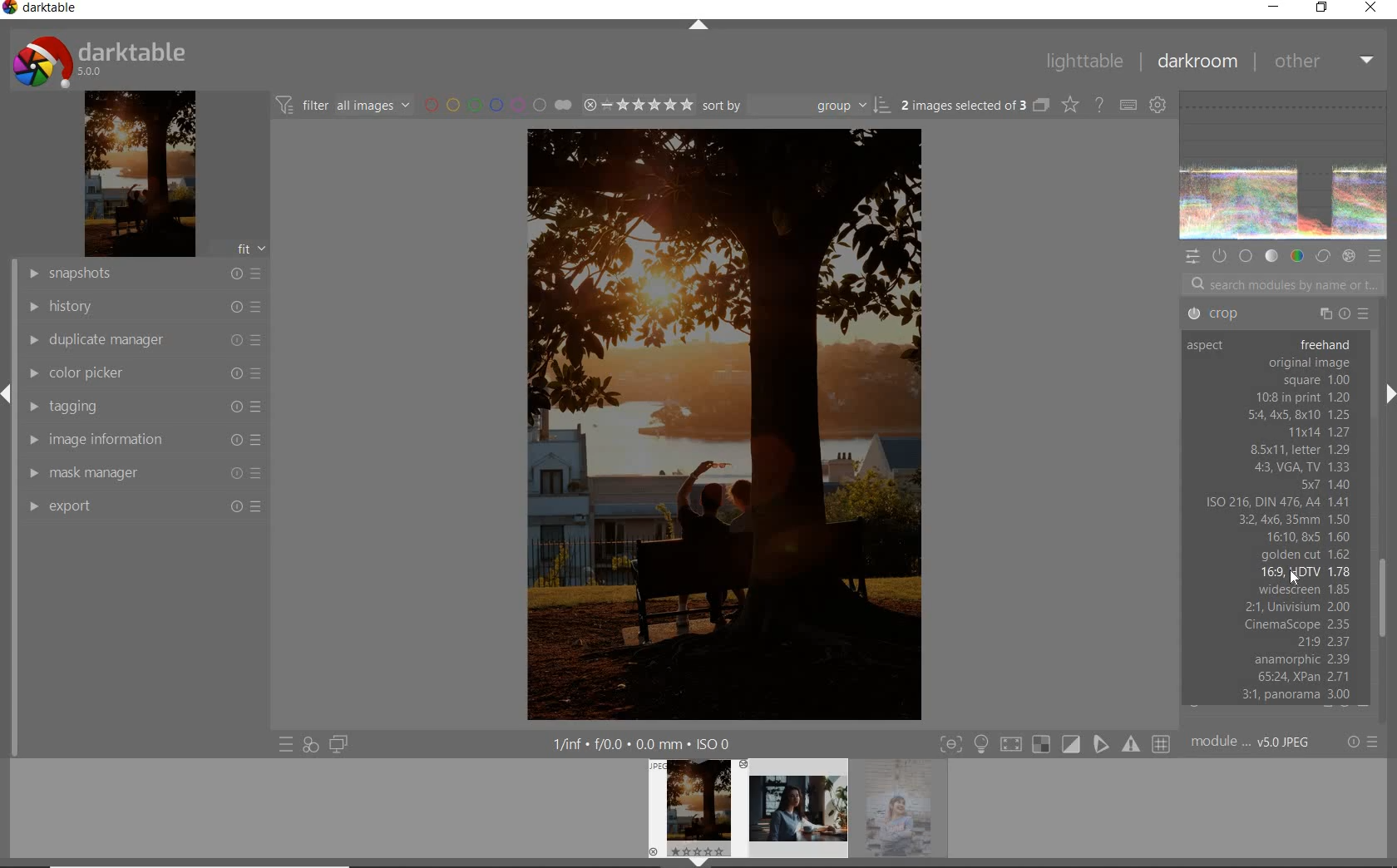  What do you see at coordinates (144, 339) in the screenshot?
I see `duplicate manager` at bounding box center [144, 339].